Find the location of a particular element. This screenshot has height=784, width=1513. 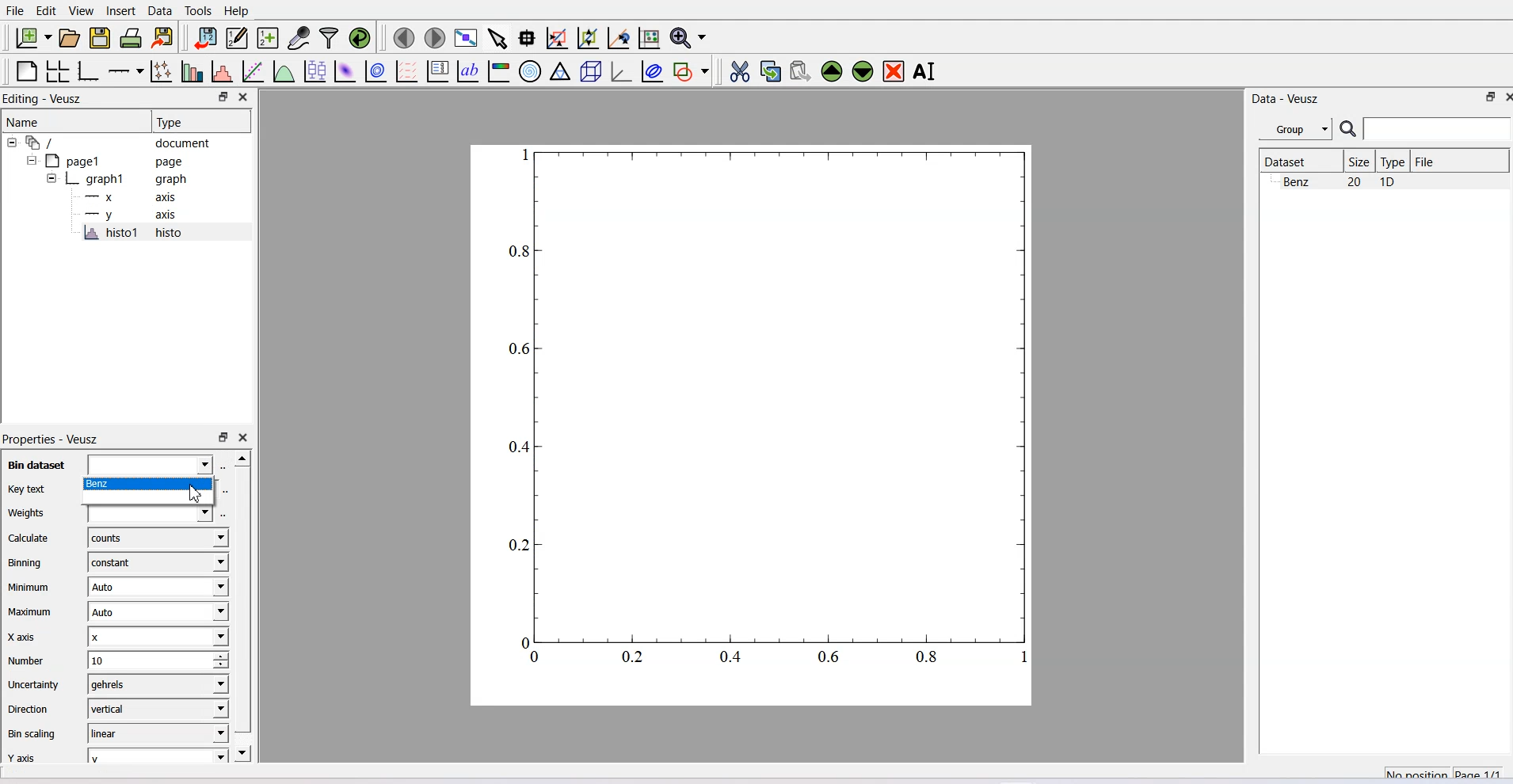

Editing - Veusz is located at coordinates (44, 97).